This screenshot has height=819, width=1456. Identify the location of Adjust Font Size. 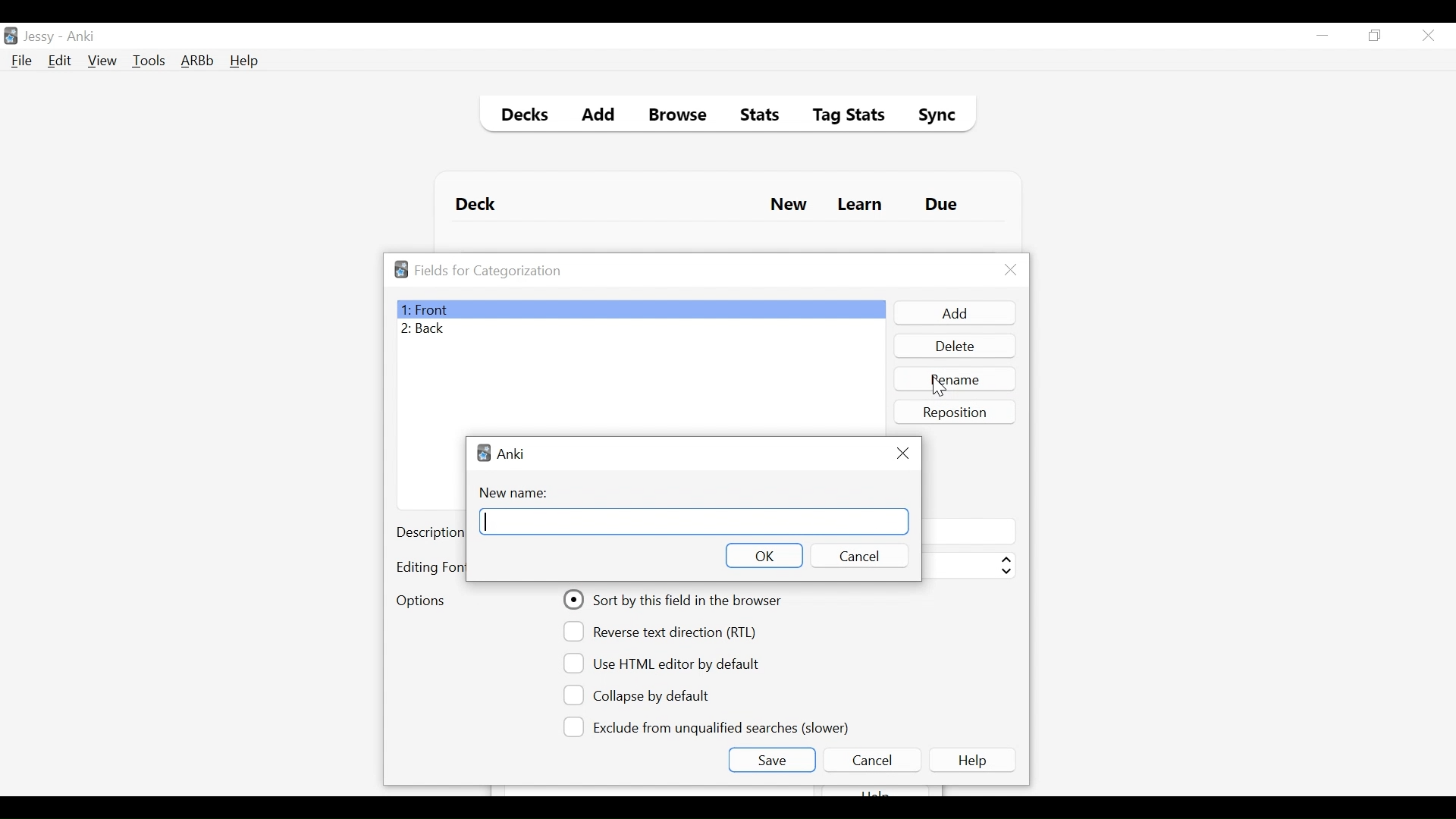
(968, 566).